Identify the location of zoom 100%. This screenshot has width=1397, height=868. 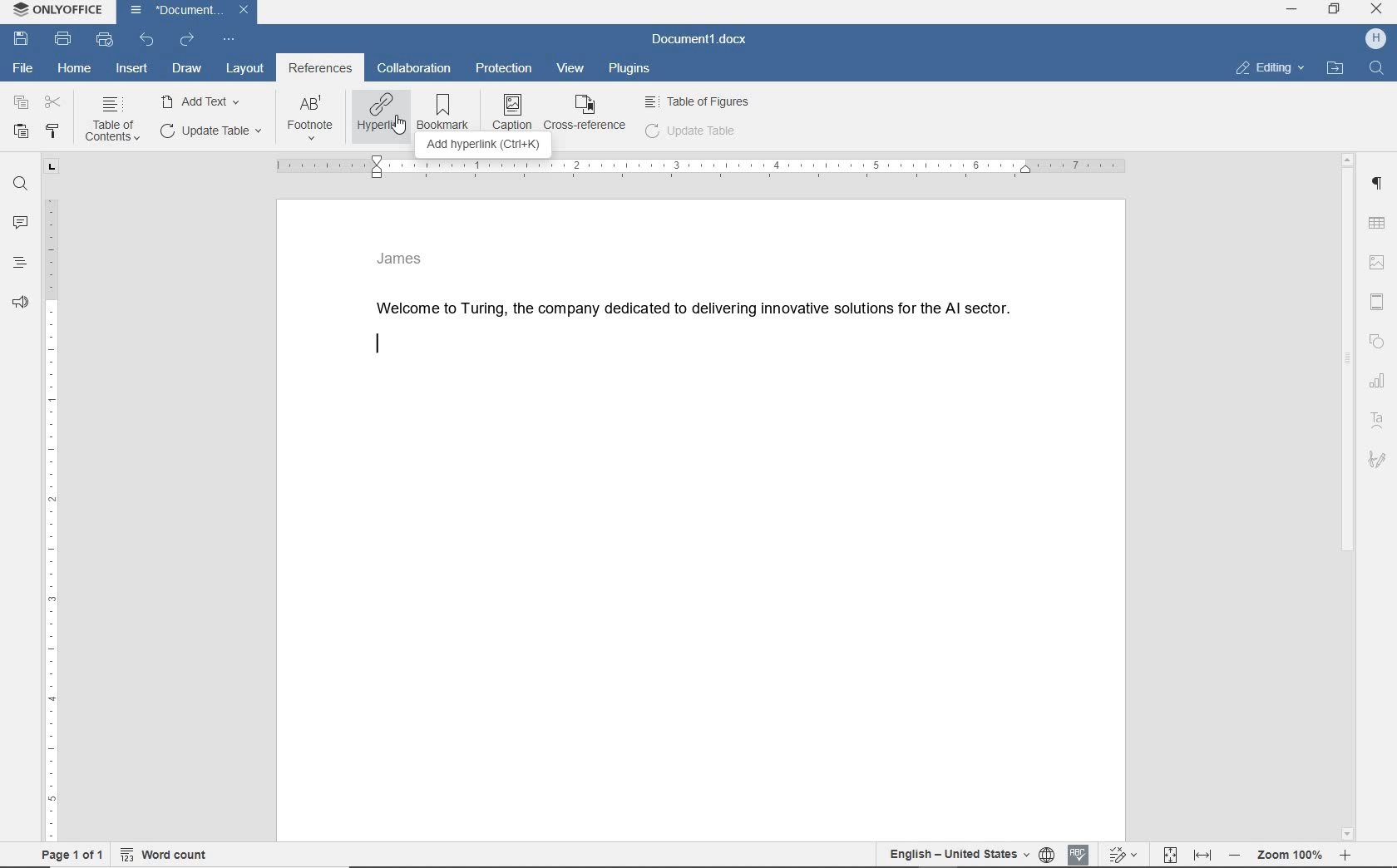
(1295, 857).